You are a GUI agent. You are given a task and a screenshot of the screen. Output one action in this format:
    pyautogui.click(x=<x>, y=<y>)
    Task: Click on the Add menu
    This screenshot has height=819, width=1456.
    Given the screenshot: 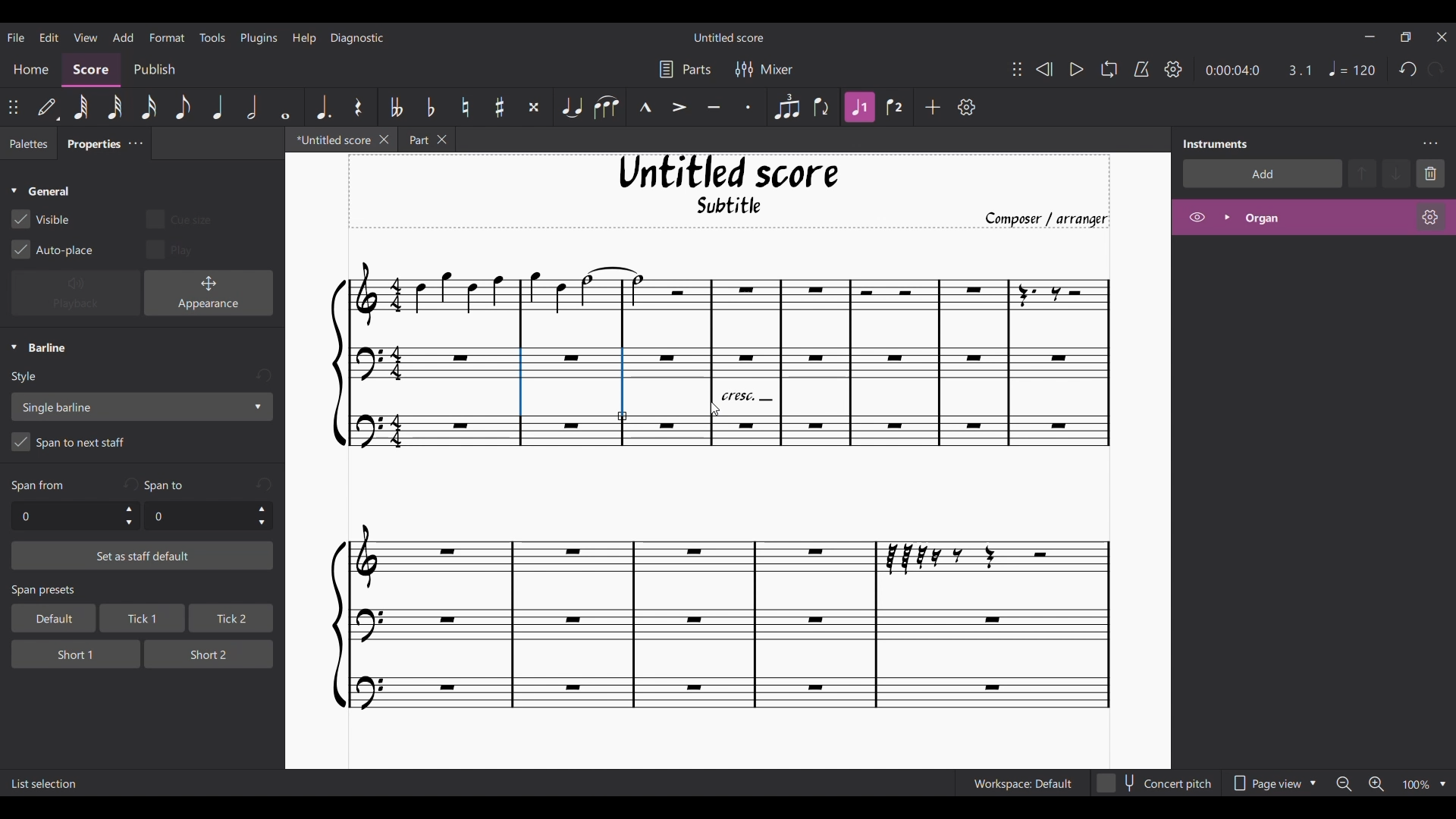 What is the action you would take?
    pyautogui.click(x=123, y=36)
    